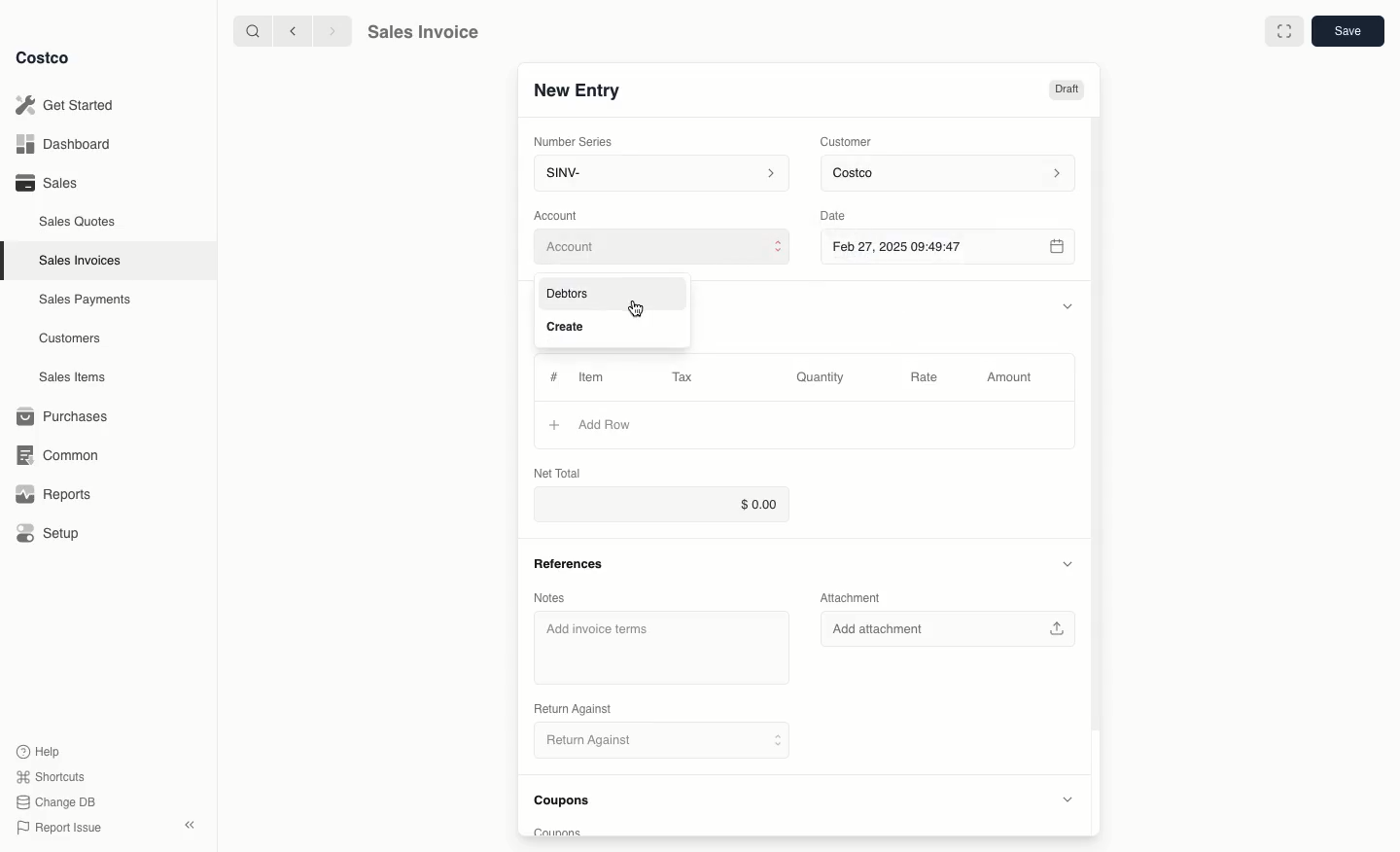  Describe the element at coordinates (1067, 90) in the screenshot. I see `Draft` at that location.